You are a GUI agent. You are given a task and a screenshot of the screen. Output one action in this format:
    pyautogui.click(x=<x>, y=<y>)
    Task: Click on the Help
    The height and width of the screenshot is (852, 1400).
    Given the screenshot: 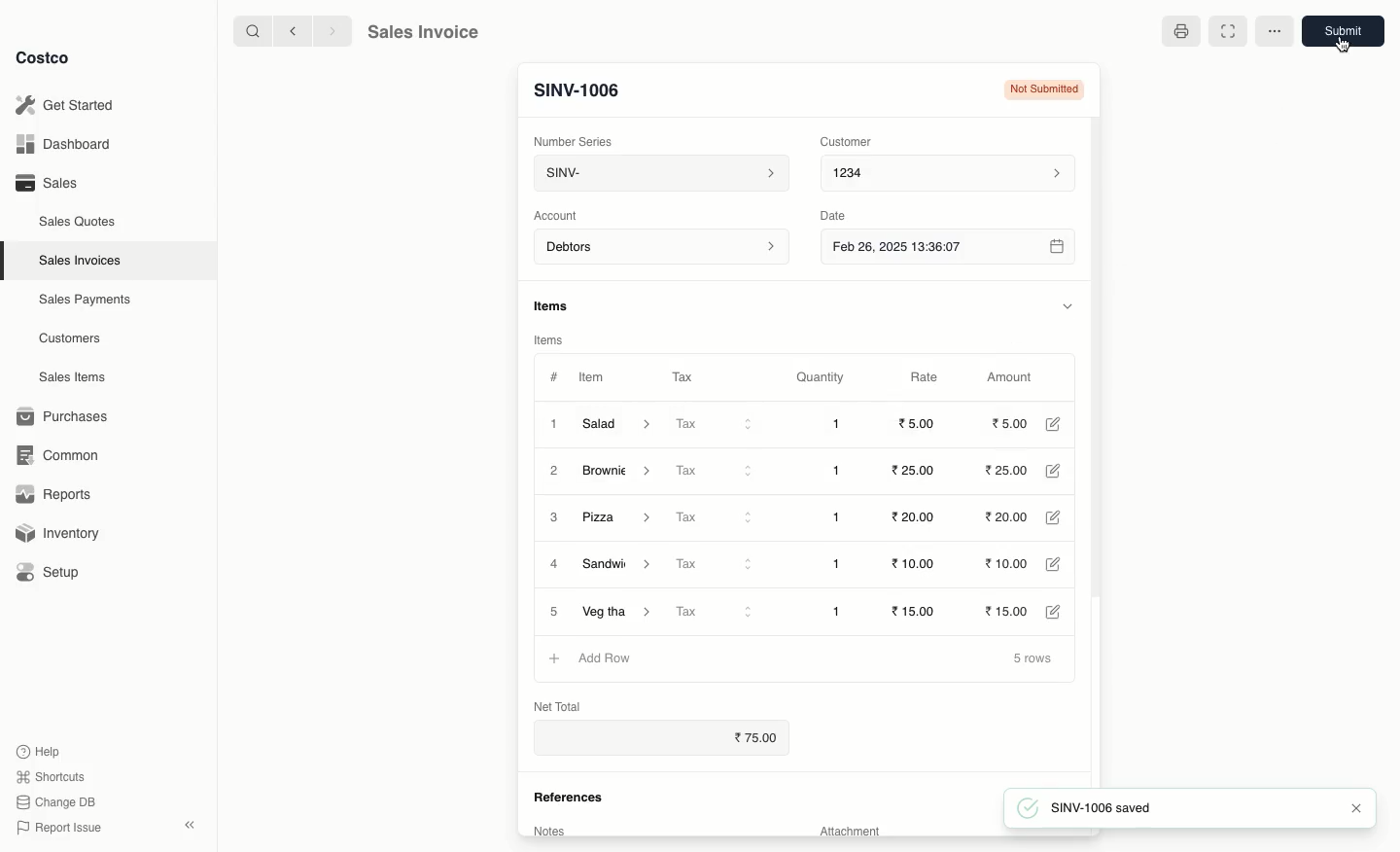 What is the action you would take?
    pyautogui.click(x=40, y=750)
    